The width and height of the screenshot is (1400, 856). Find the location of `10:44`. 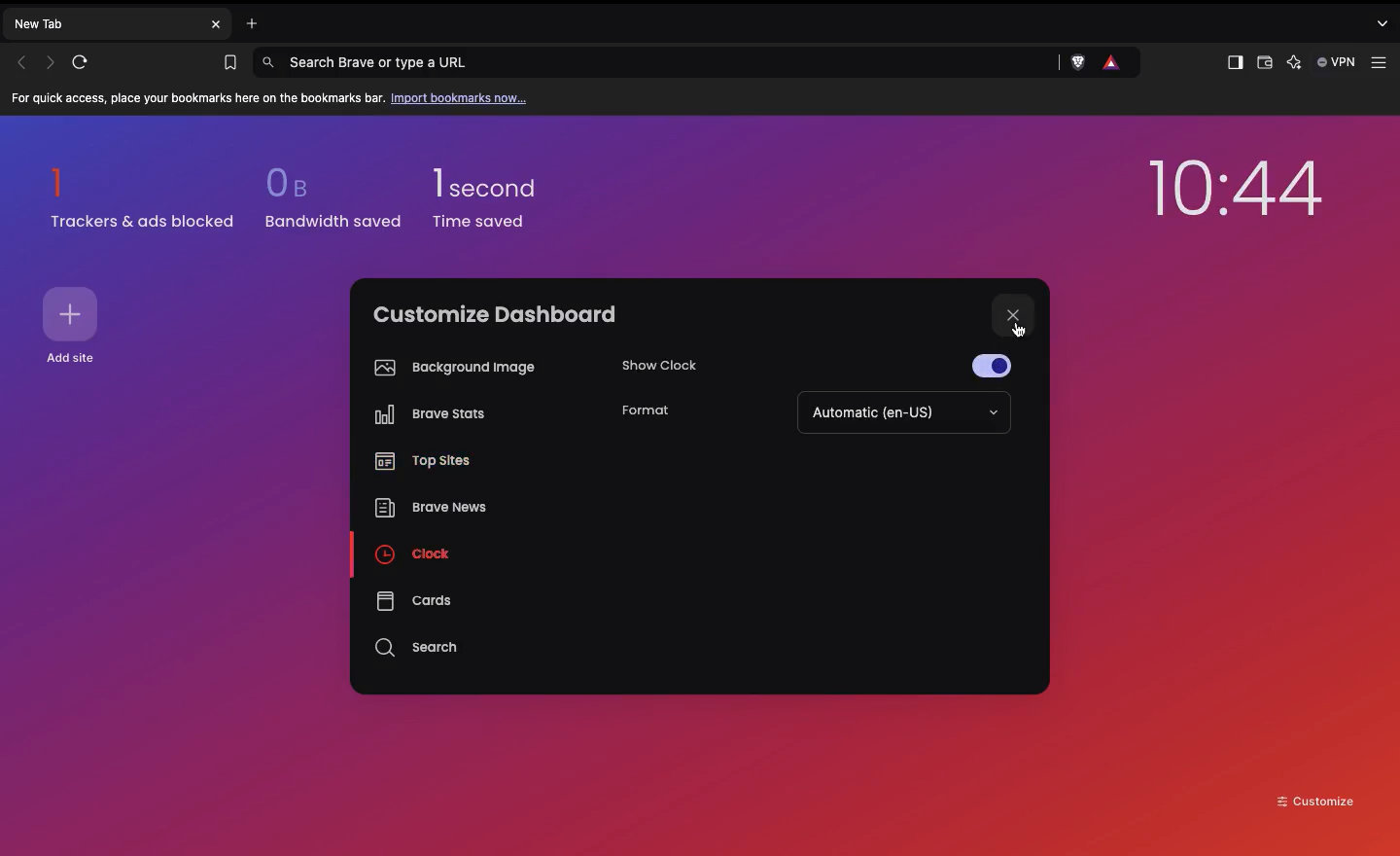

10:44 is located at coordinates (1236, 194).